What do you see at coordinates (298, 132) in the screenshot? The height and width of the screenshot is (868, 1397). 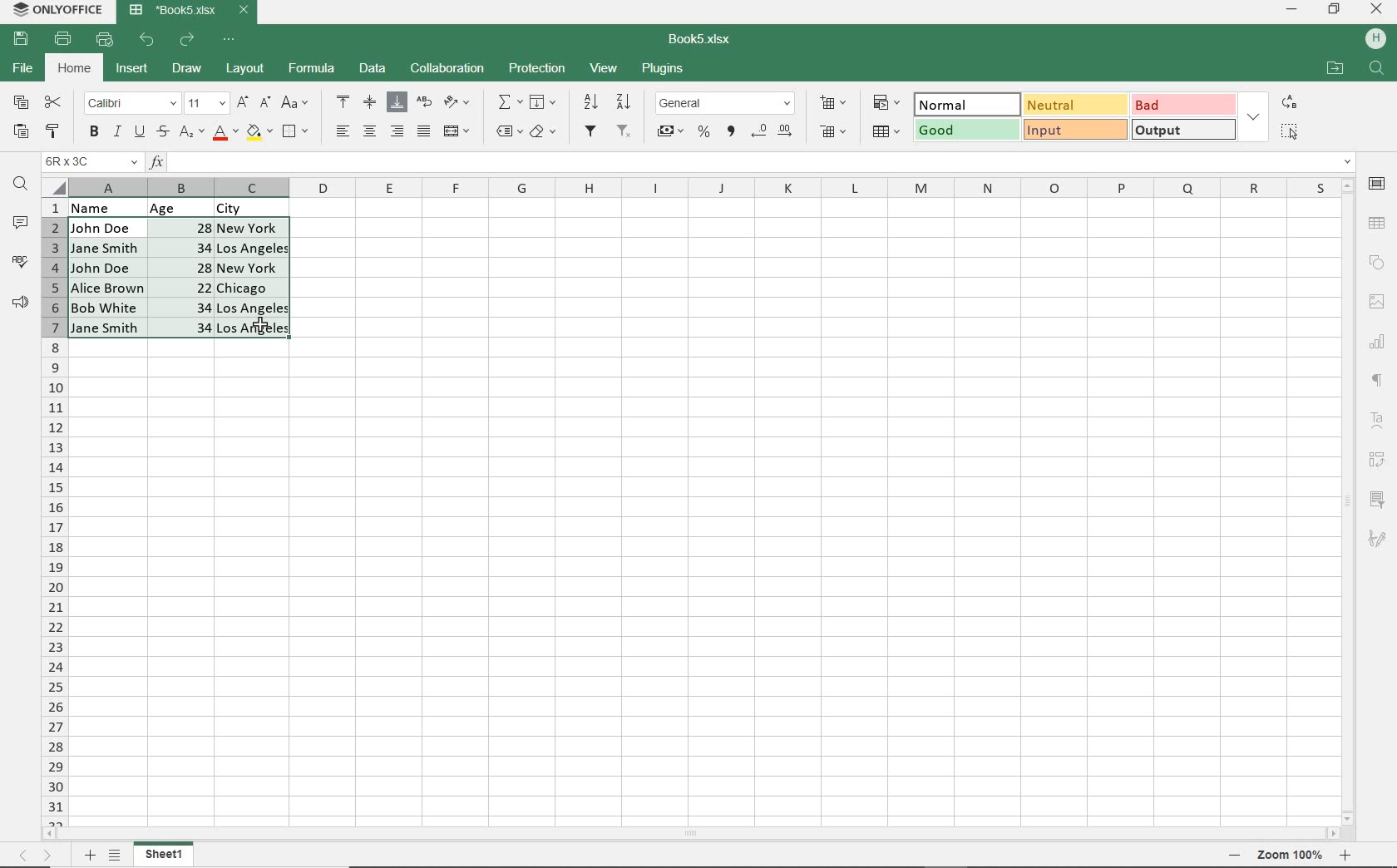 I see `BORDERS` at bounding box center [298, 132].